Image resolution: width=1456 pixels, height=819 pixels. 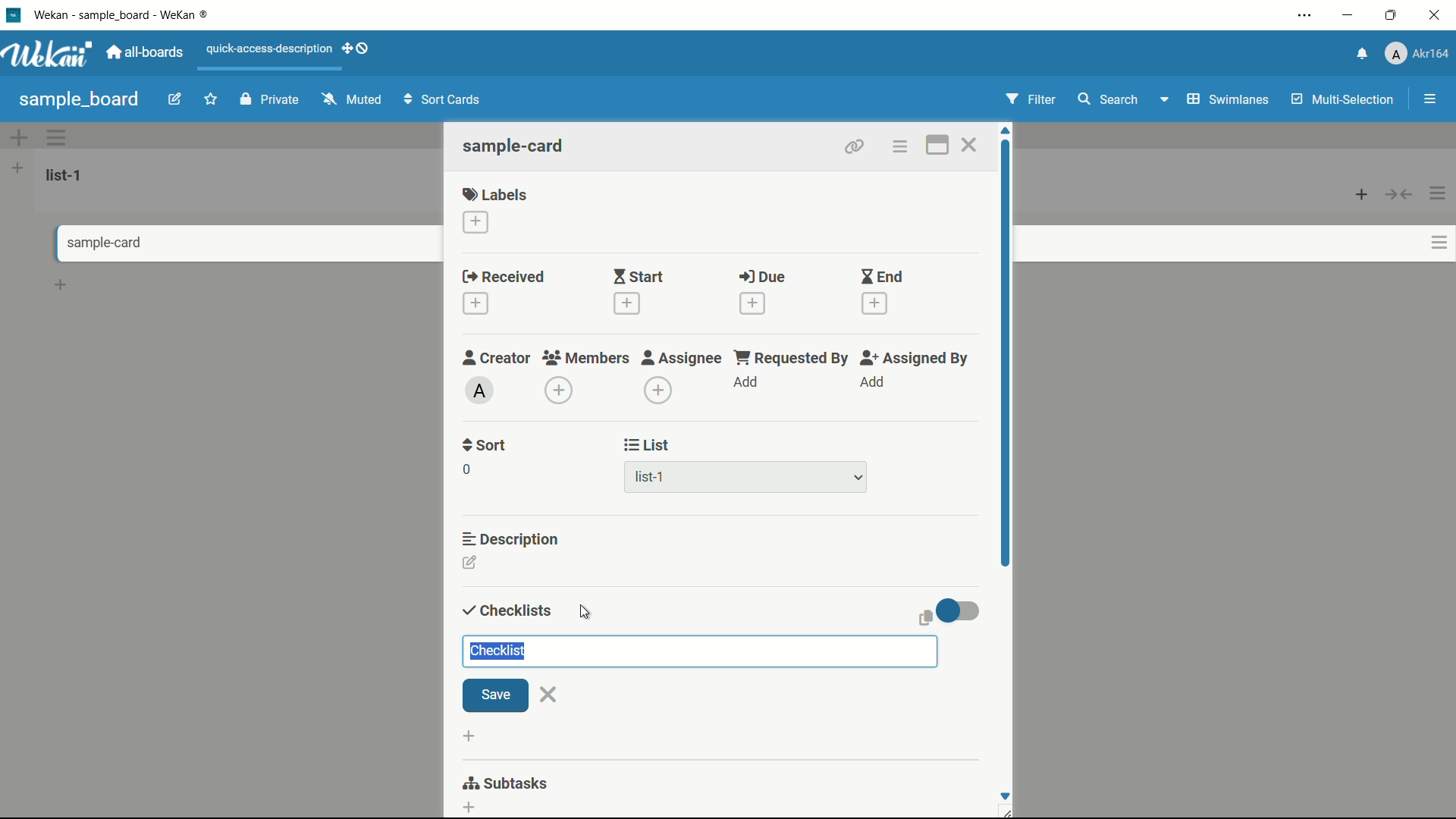 I want to click on swimlanes, so click(x=1226, y=99).